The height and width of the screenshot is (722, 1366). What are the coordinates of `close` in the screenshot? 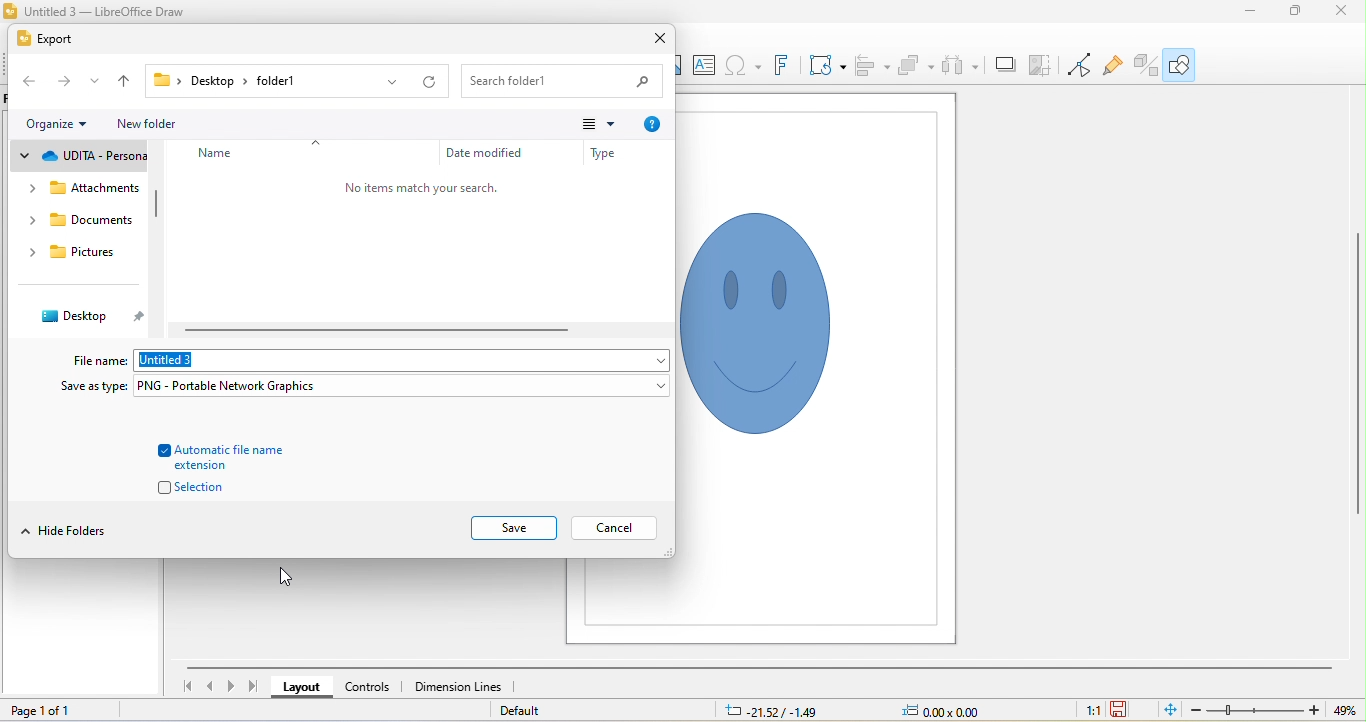 It's located at (659, 39).